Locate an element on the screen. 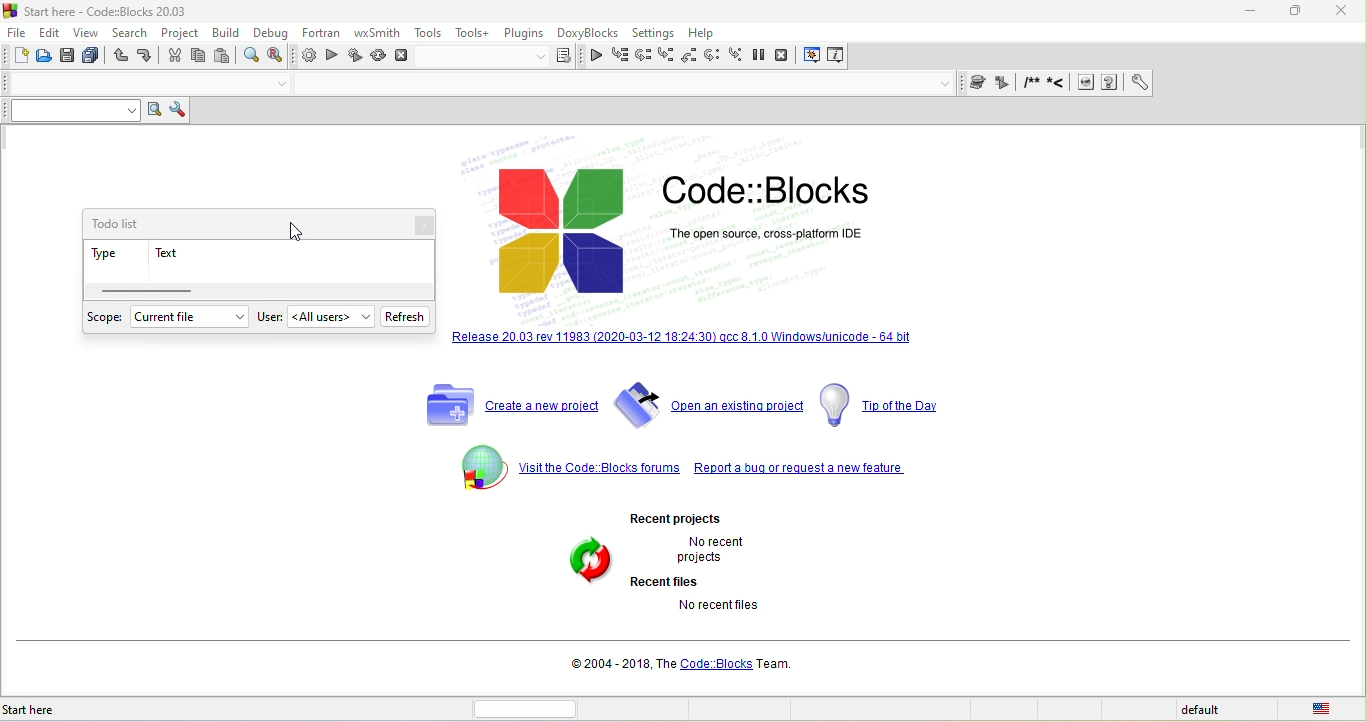  refresh is located at coordinates (409, 316).